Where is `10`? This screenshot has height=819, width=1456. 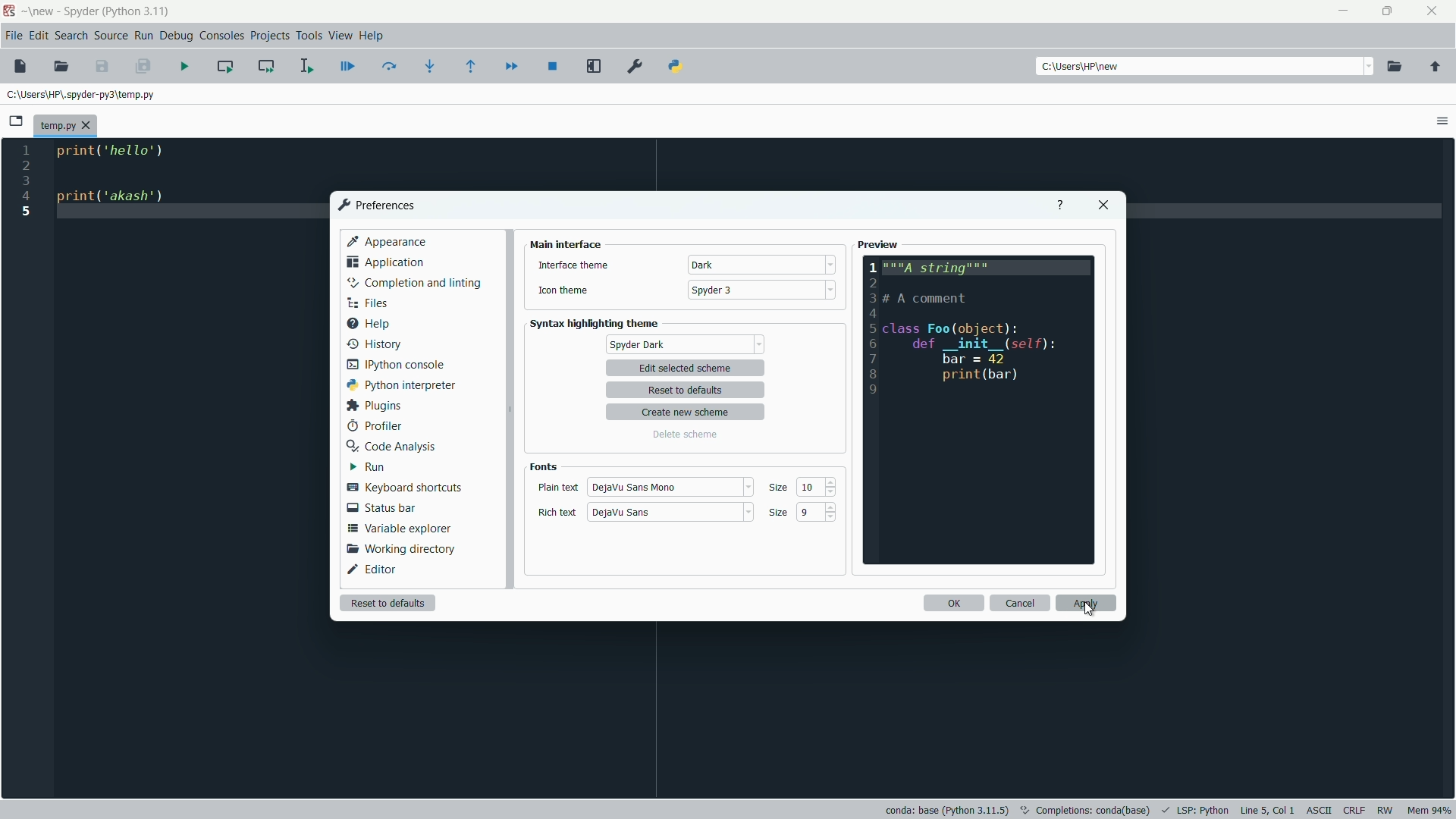
10 is located at coordinates (811, 488).